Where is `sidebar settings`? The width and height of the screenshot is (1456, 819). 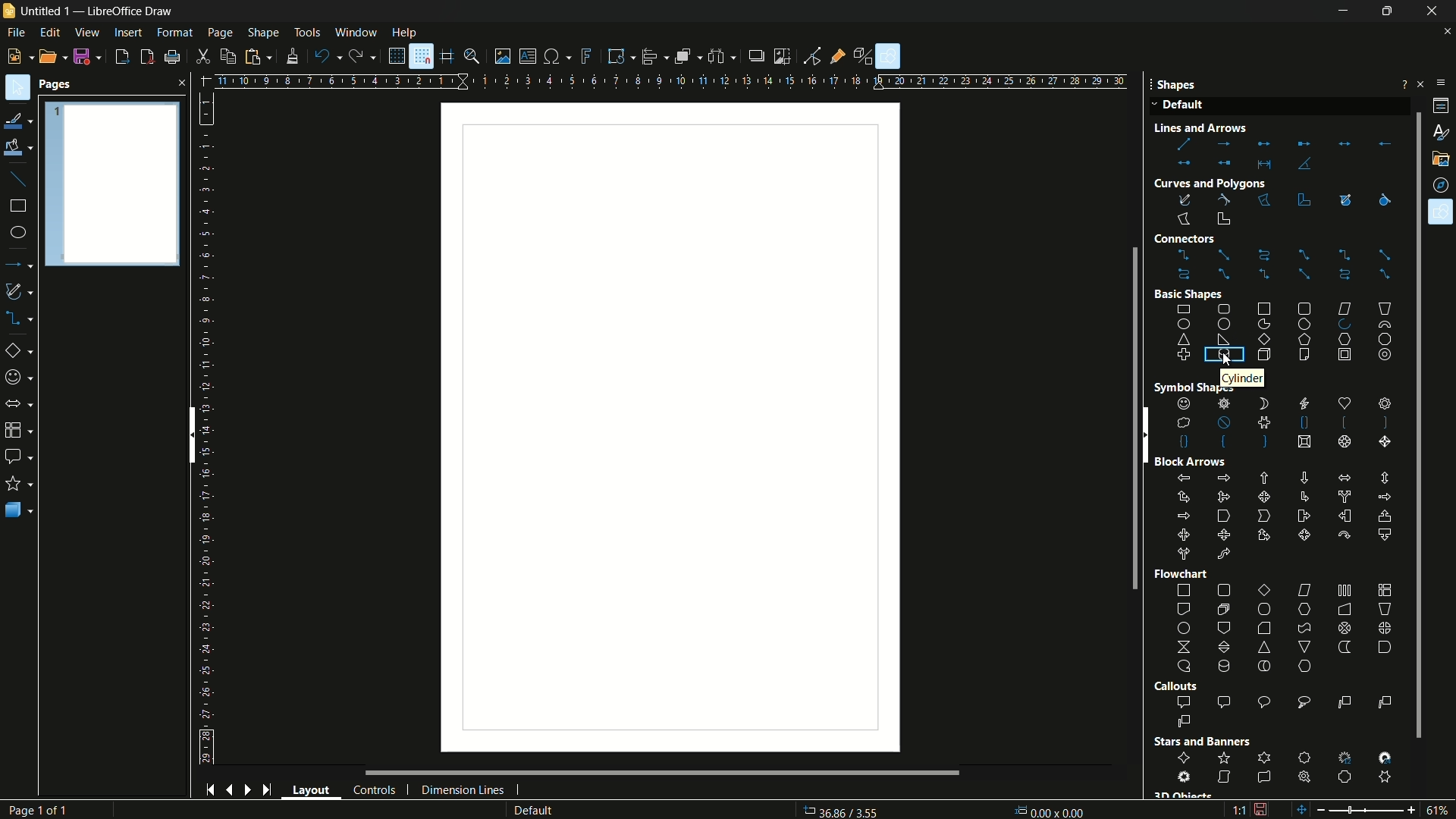
sidebar settings is located at coordinates (1439, 83).